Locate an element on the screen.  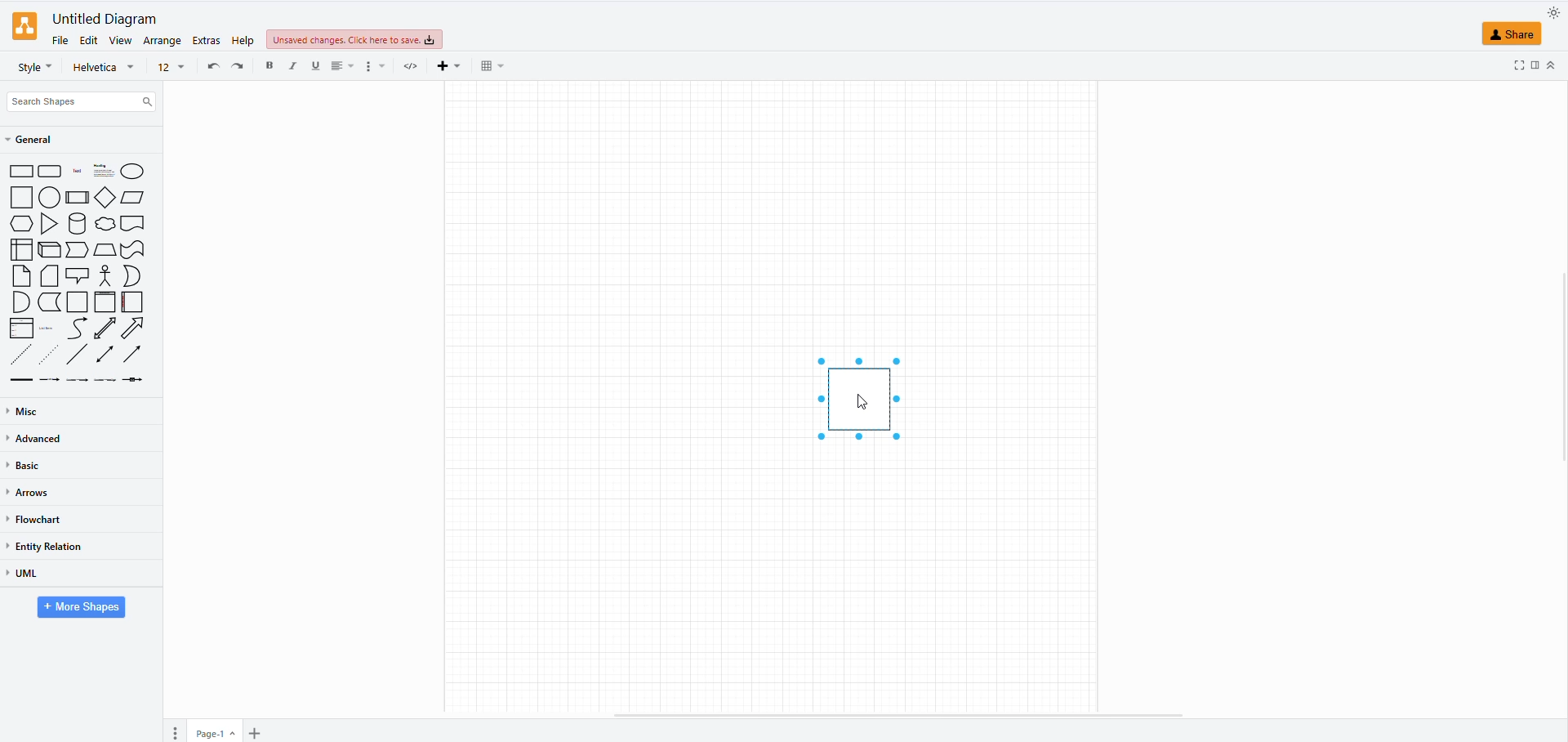
dotted line is located at coordinates (51, 354).